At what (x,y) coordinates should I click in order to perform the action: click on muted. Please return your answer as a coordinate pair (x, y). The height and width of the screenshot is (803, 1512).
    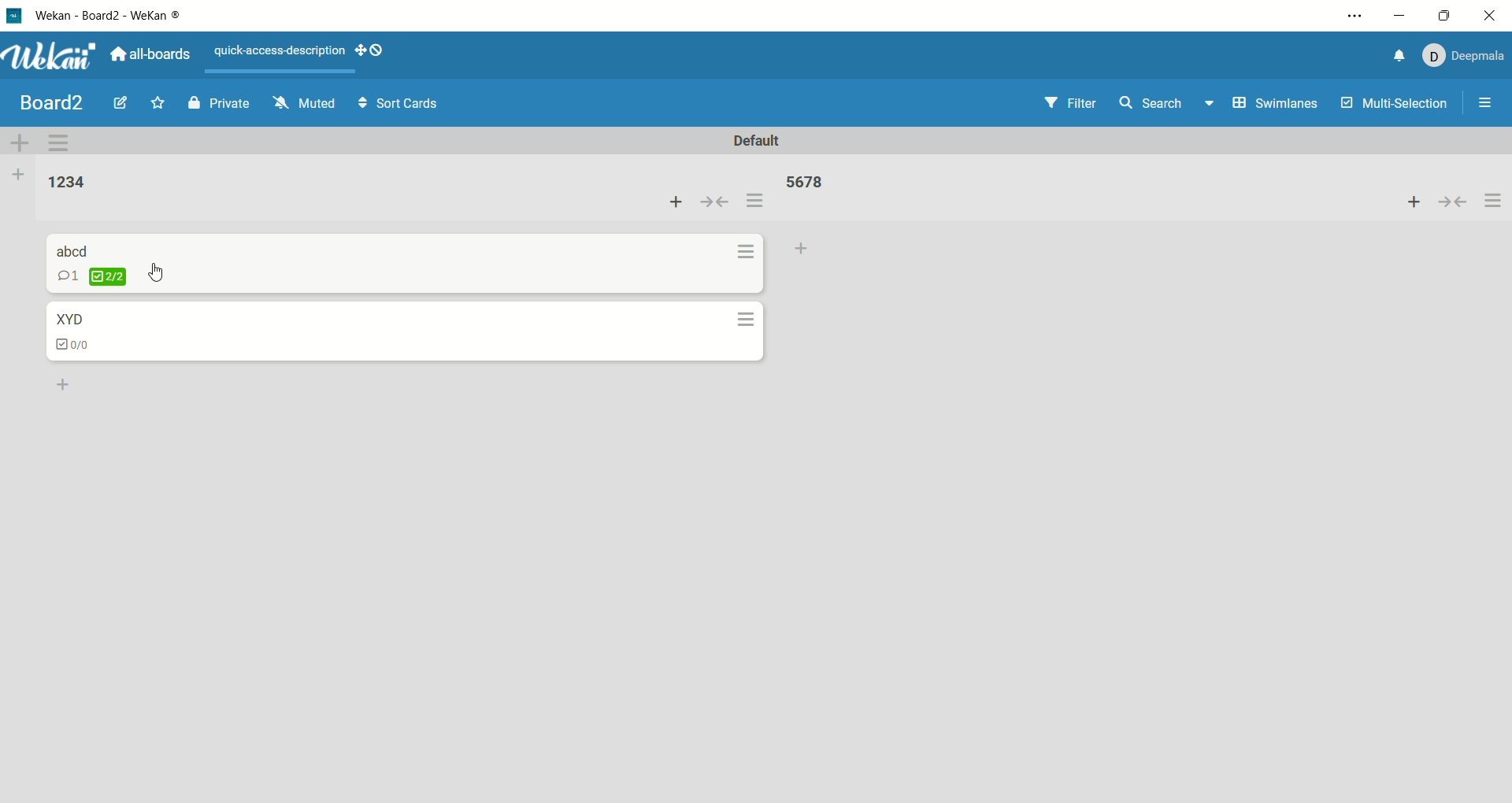
    Looking at the image, I should click on (297, 104).